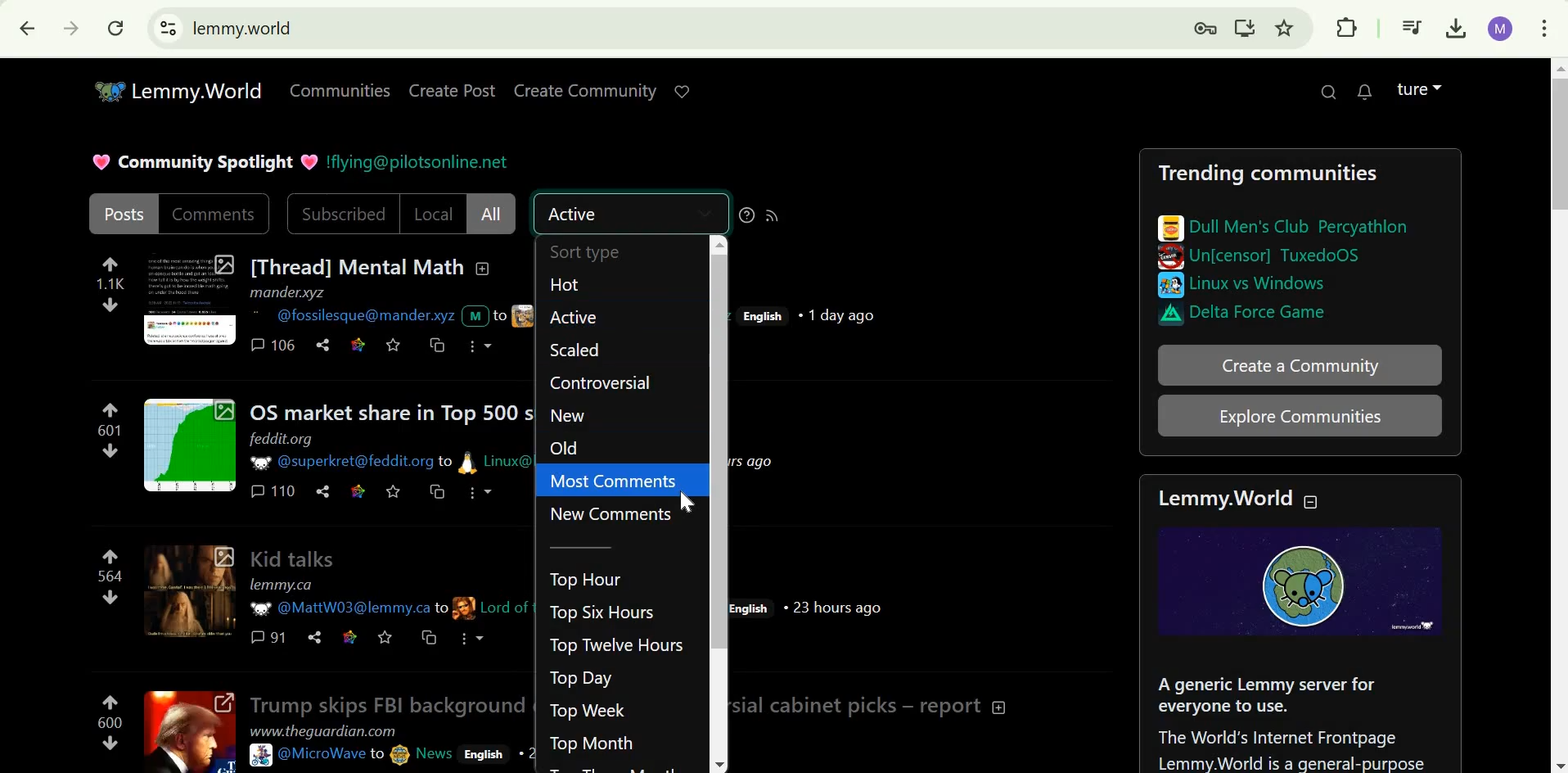  I want to click on Top Month, so click(591, 742).